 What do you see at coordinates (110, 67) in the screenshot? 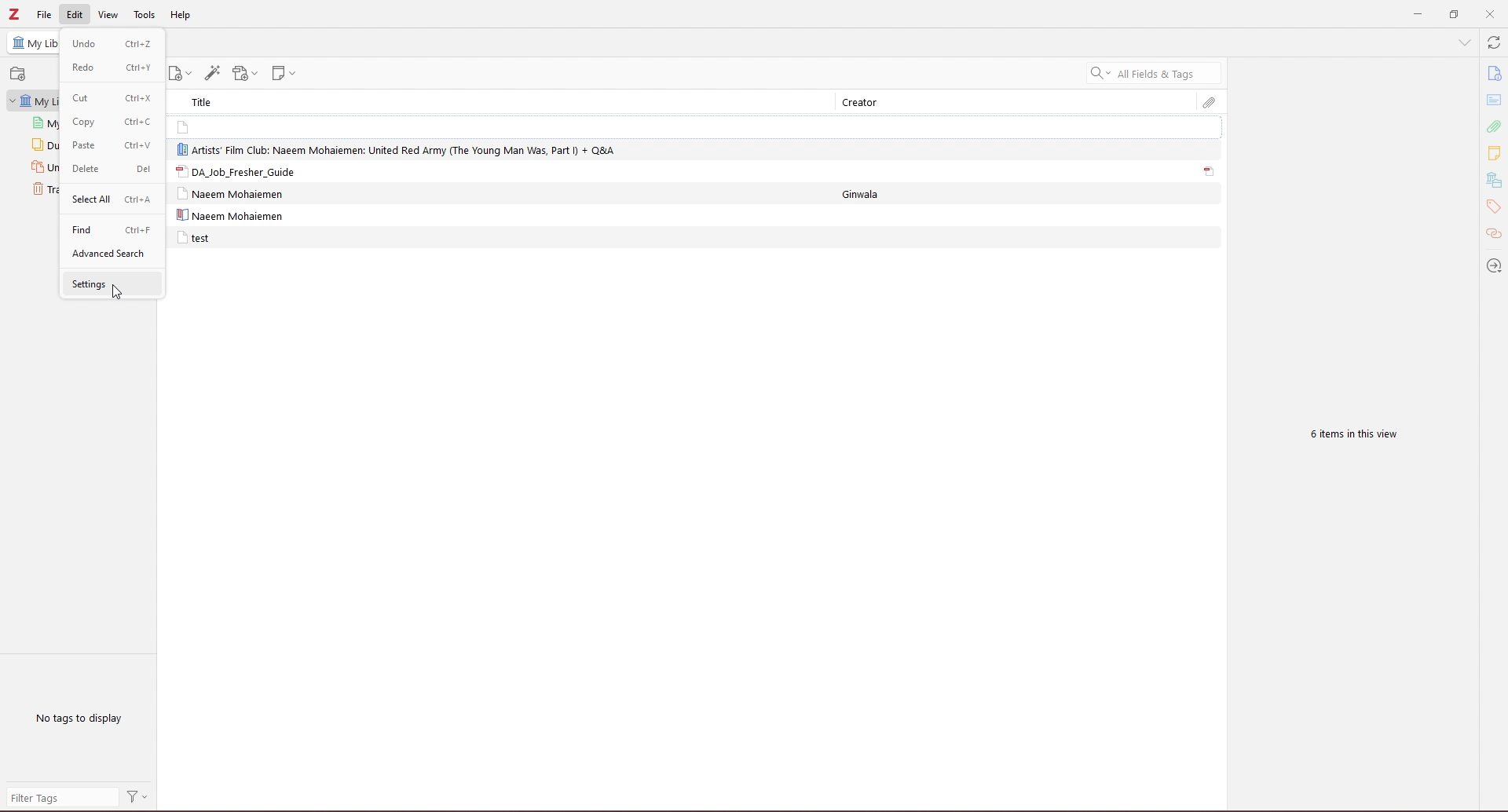
I see `redo` at bounding box center [110, 67].